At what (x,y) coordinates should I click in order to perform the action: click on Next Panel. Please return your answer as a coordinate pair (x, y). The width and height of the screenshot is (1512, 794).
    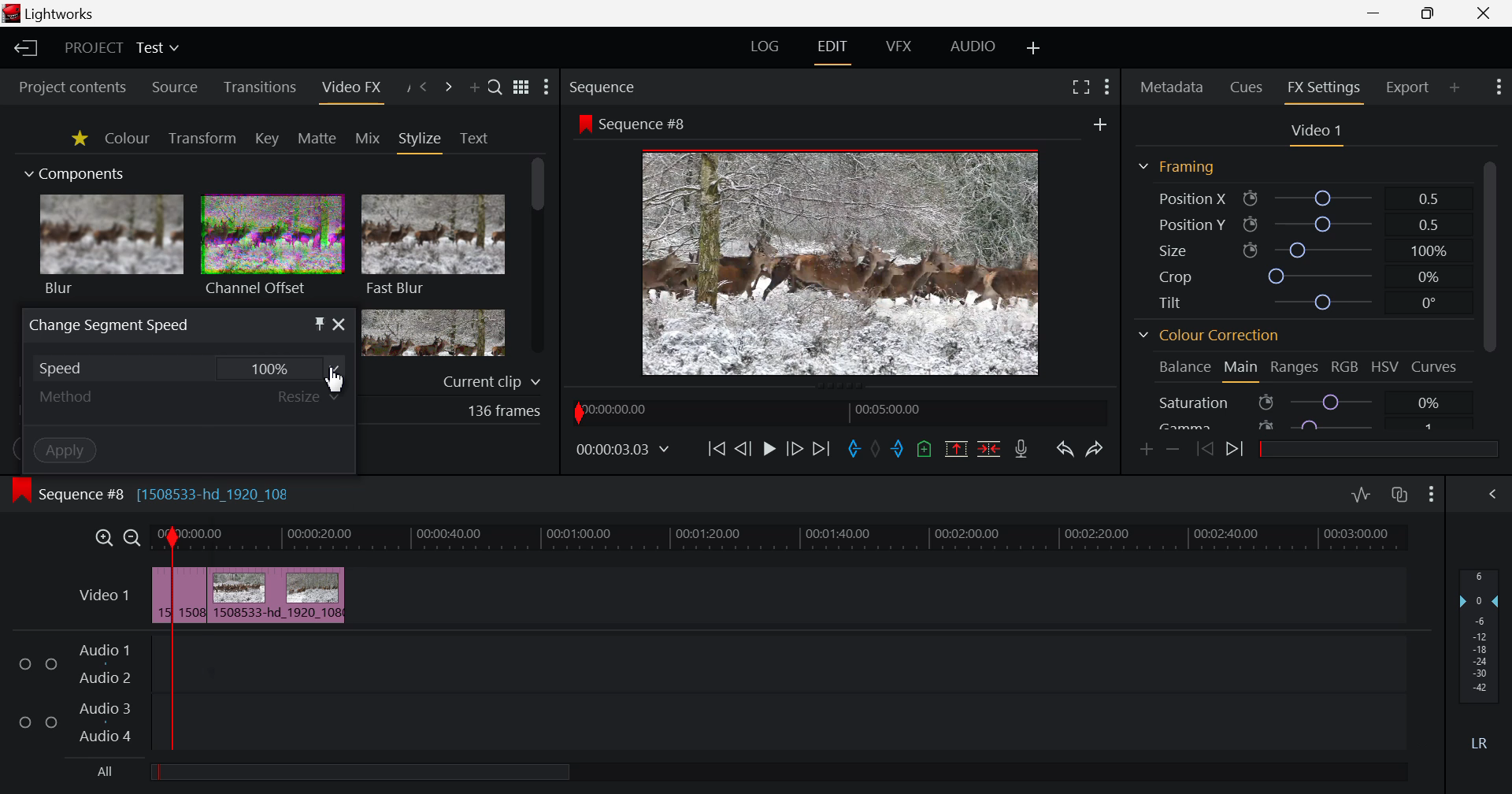
    Looking at the image, I should click on (446, 87).